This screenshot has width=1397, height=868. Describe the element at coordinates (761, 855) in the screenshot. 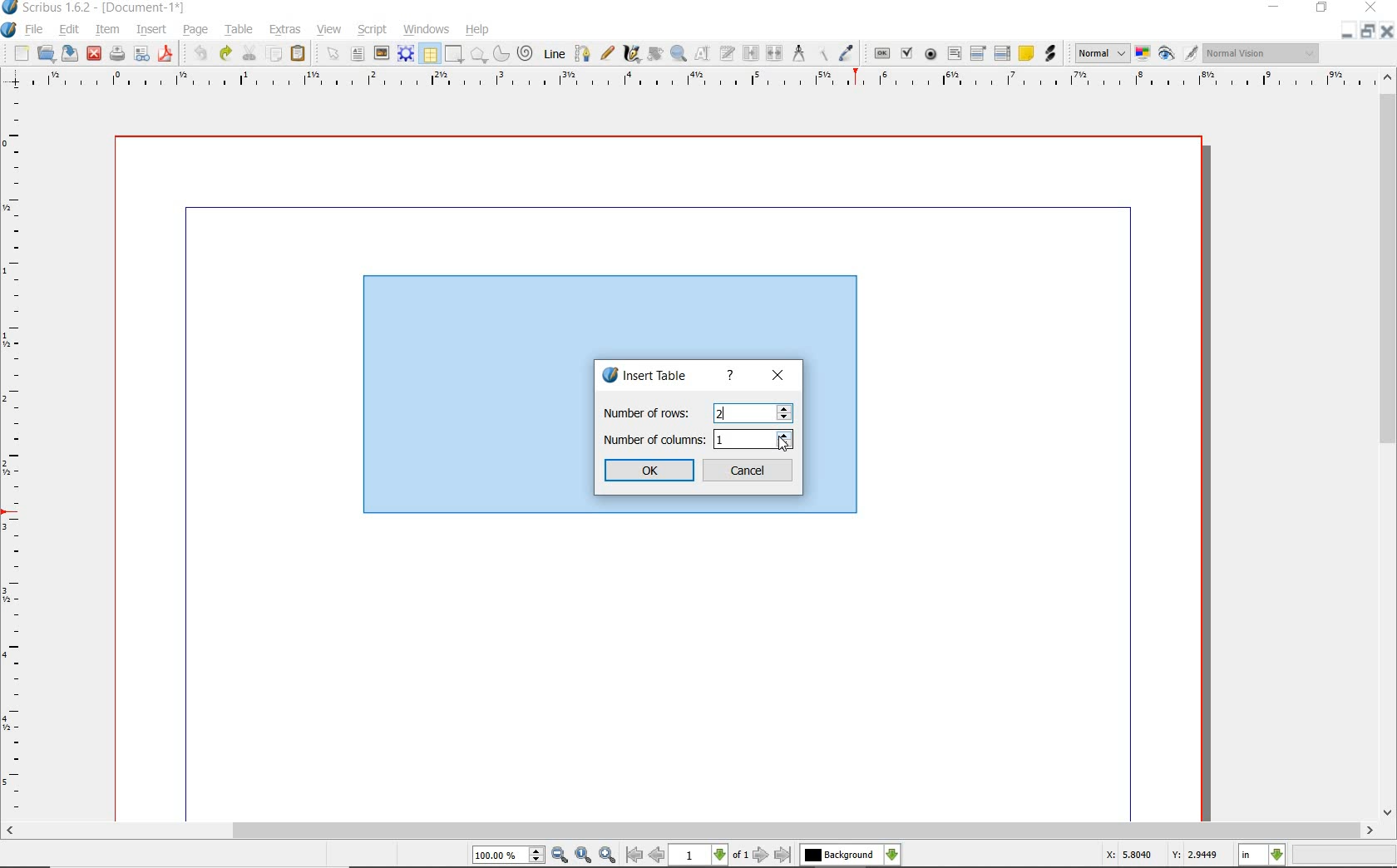

I see `go to next page` at that location.